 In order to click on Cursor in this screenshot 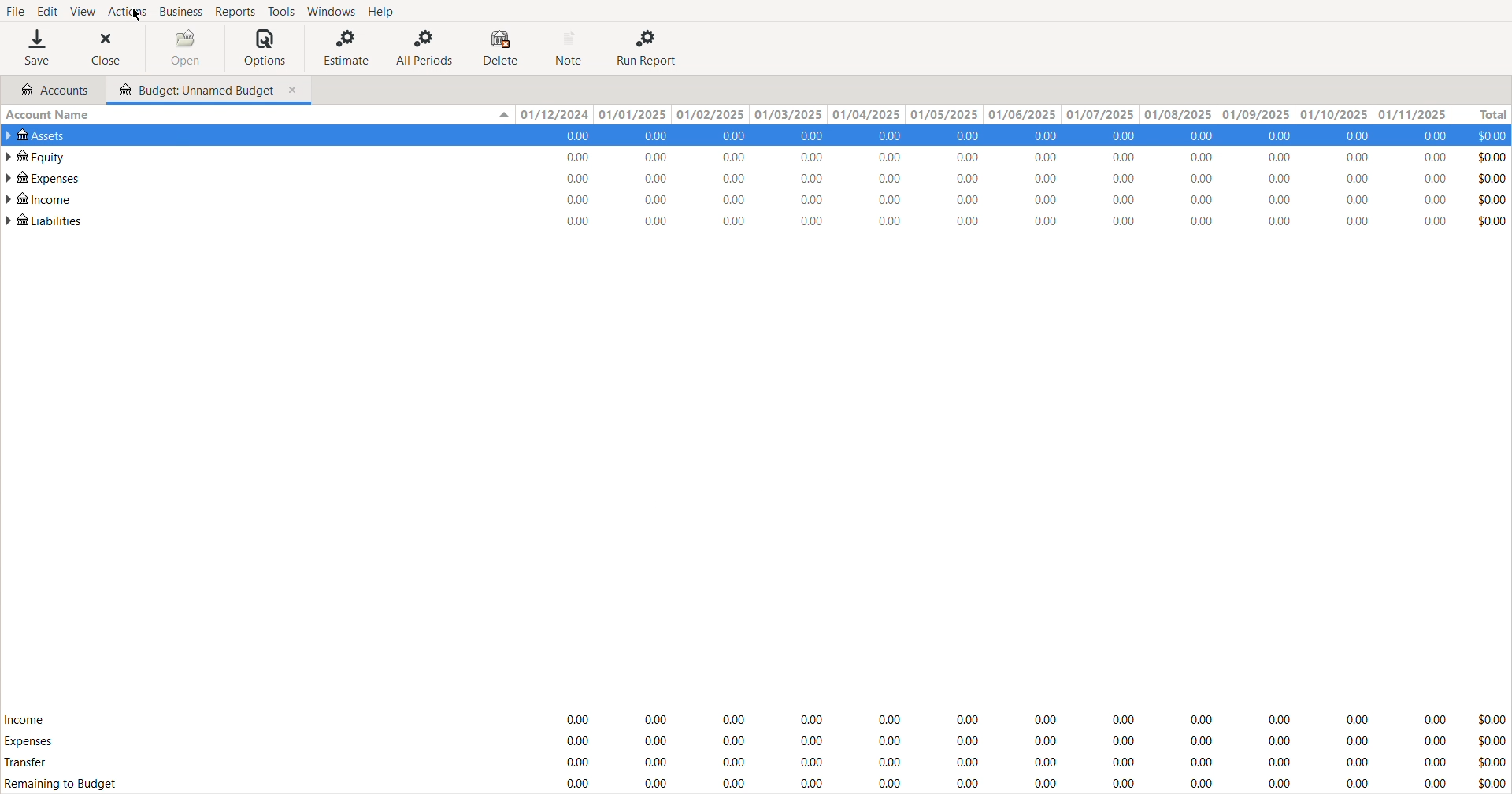, I will do `click(135, 15)`.